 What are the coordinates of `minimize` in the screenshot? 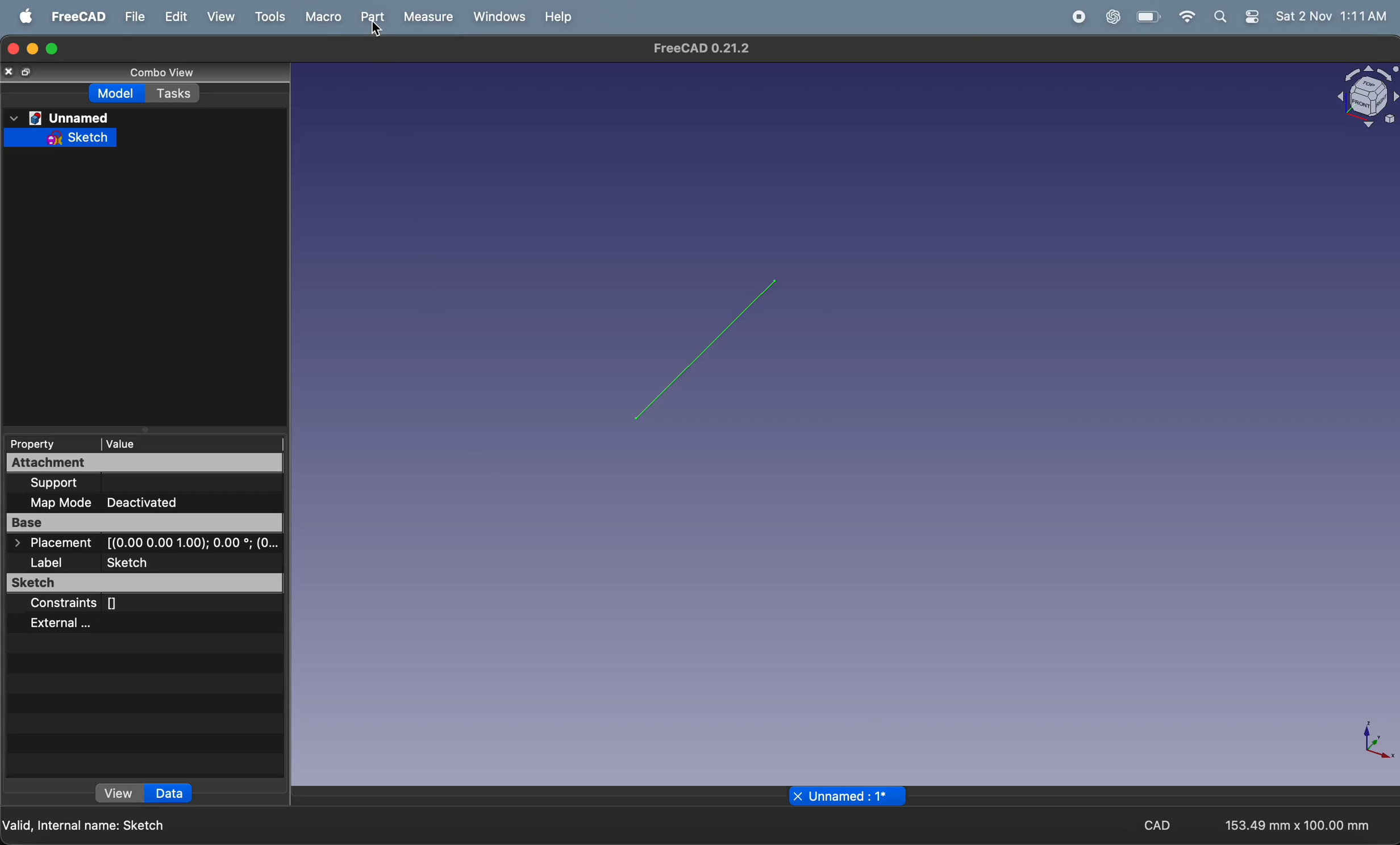 It's located at (33, 49).